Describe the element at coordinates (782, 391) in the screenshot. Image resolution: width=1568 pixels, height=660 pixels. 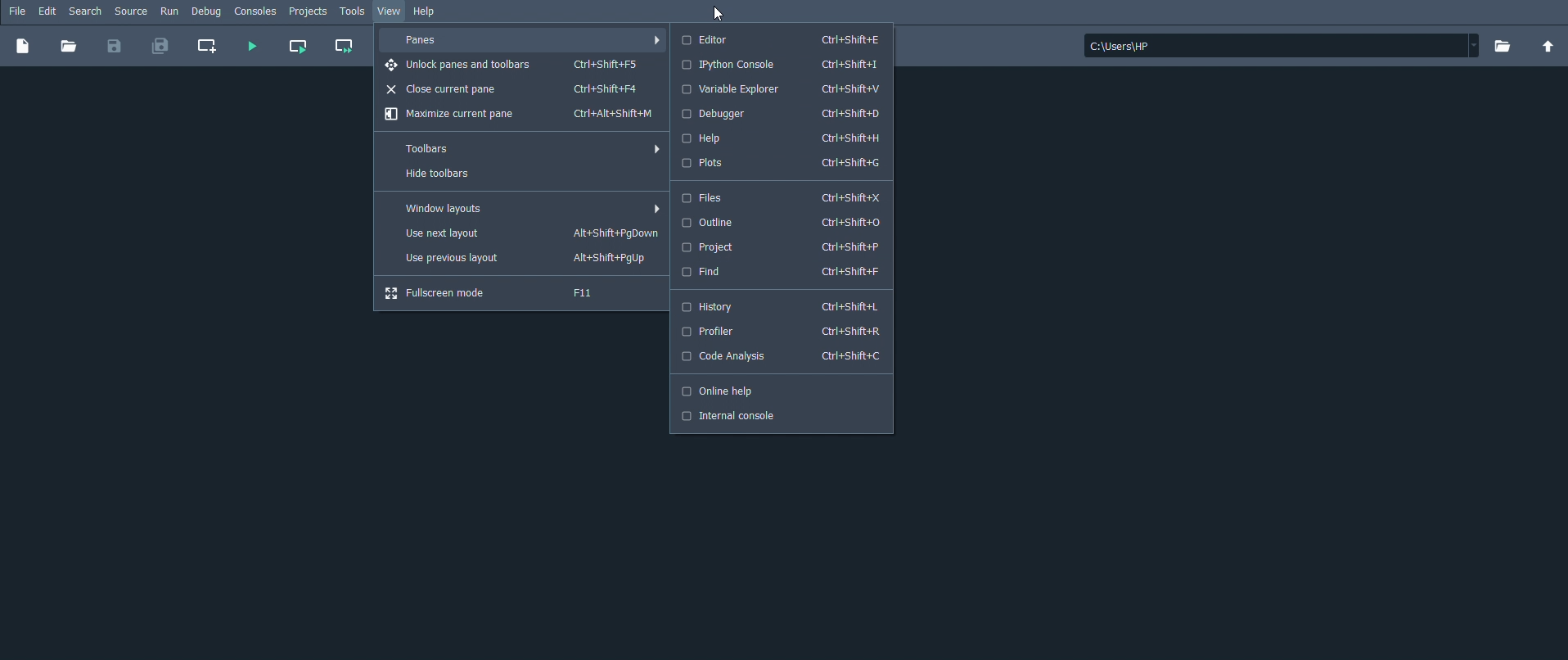
I see `Online help` at that location.